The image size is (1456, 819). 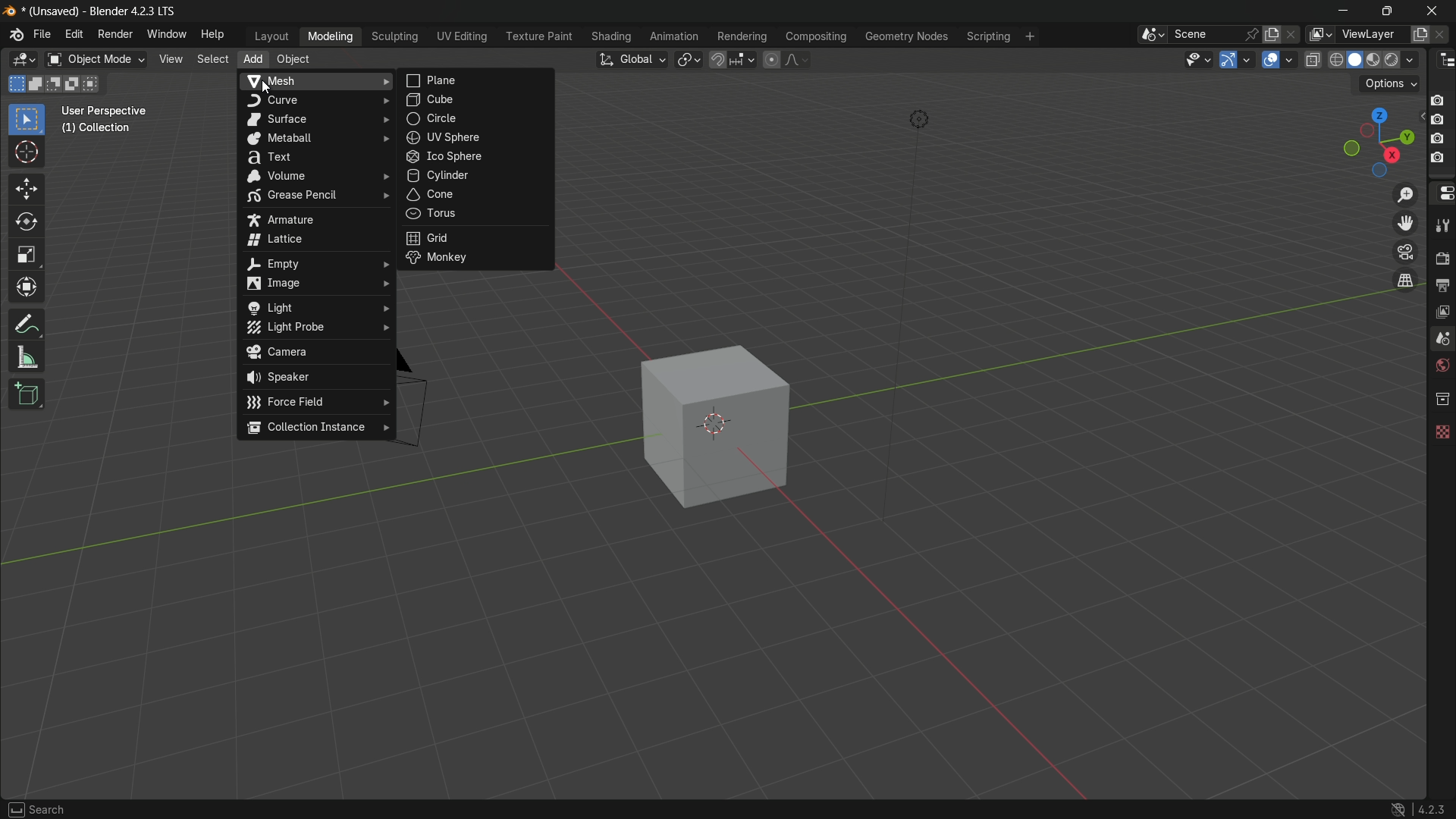 I want to click on switch the current view, so click(x=1404, y=280).